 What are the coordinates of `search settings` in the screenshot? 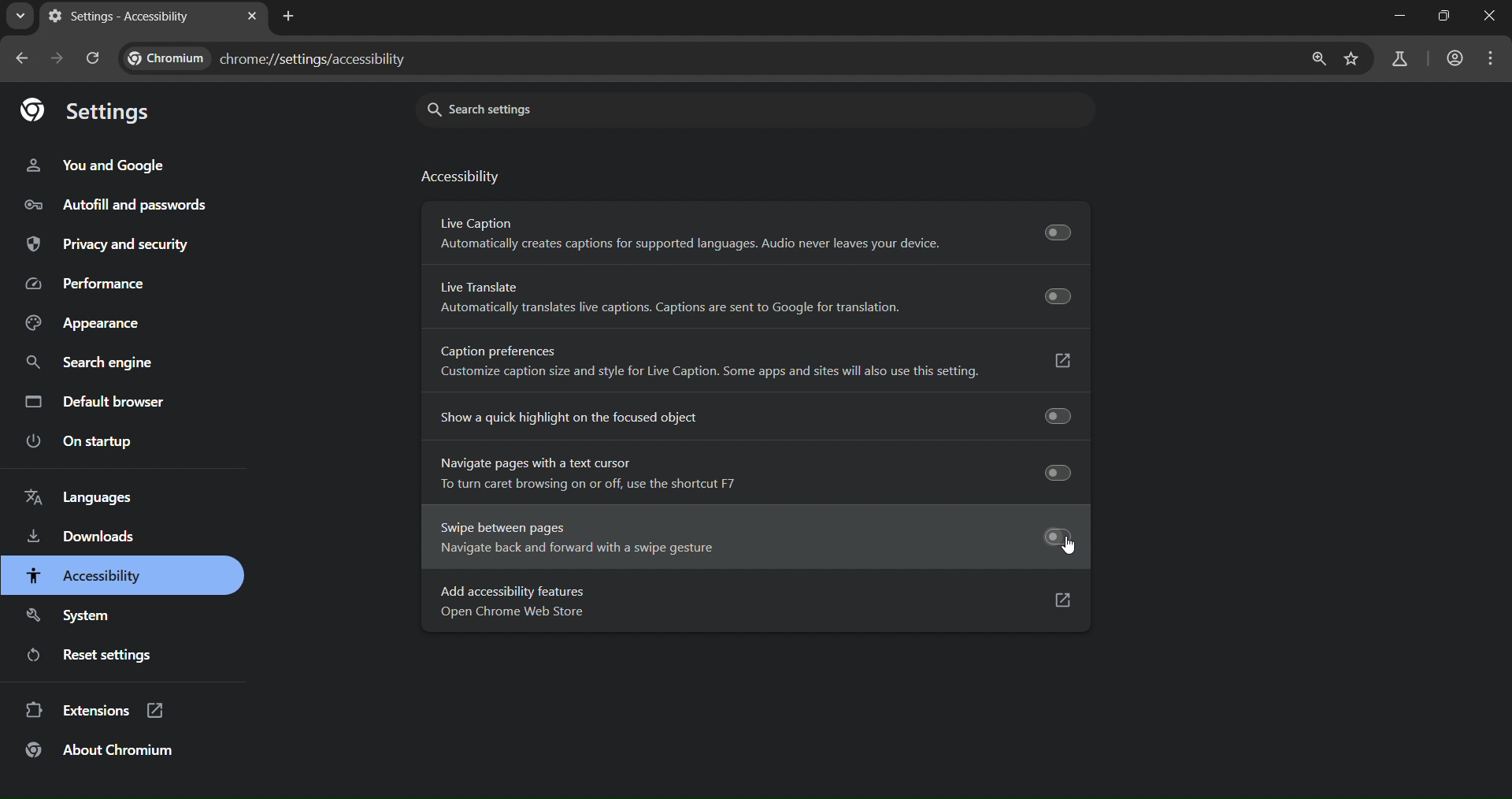 It's located at (588, 107).